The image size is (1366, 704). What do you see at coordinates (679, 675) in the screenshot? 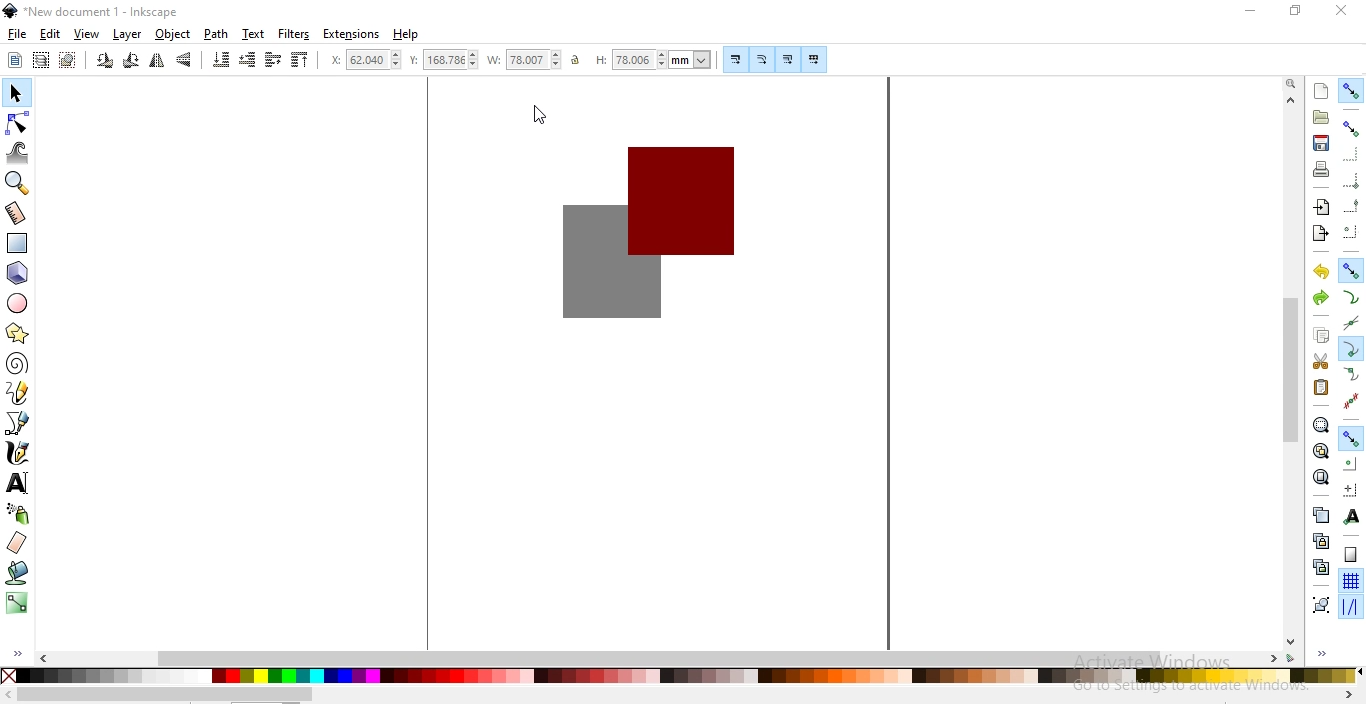
I see `color` at bounding box center [679, 675].